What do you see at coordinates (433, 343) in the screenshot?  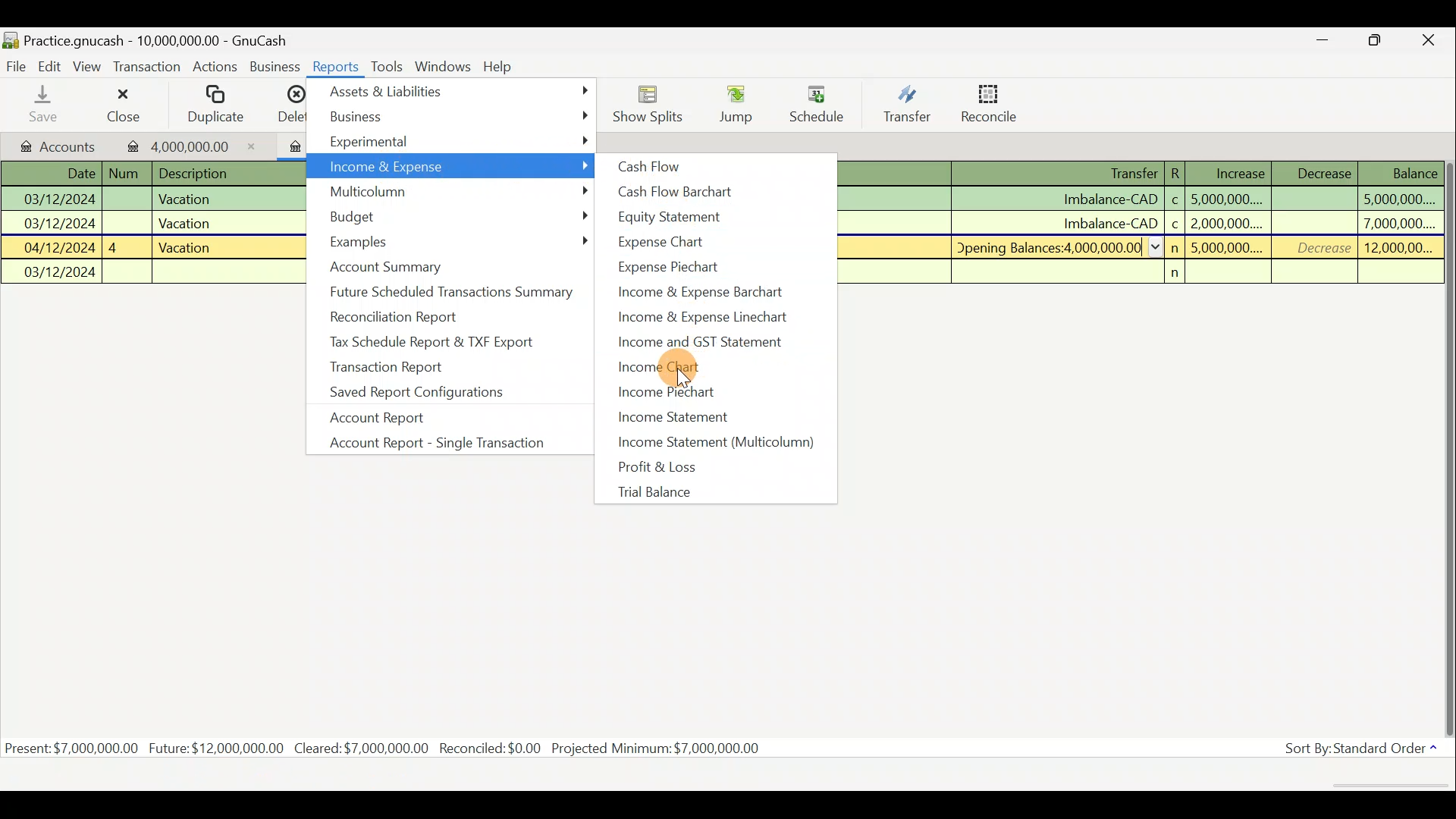 I see `Tax schedule report & TXF export` at bounding box center [433, 343].